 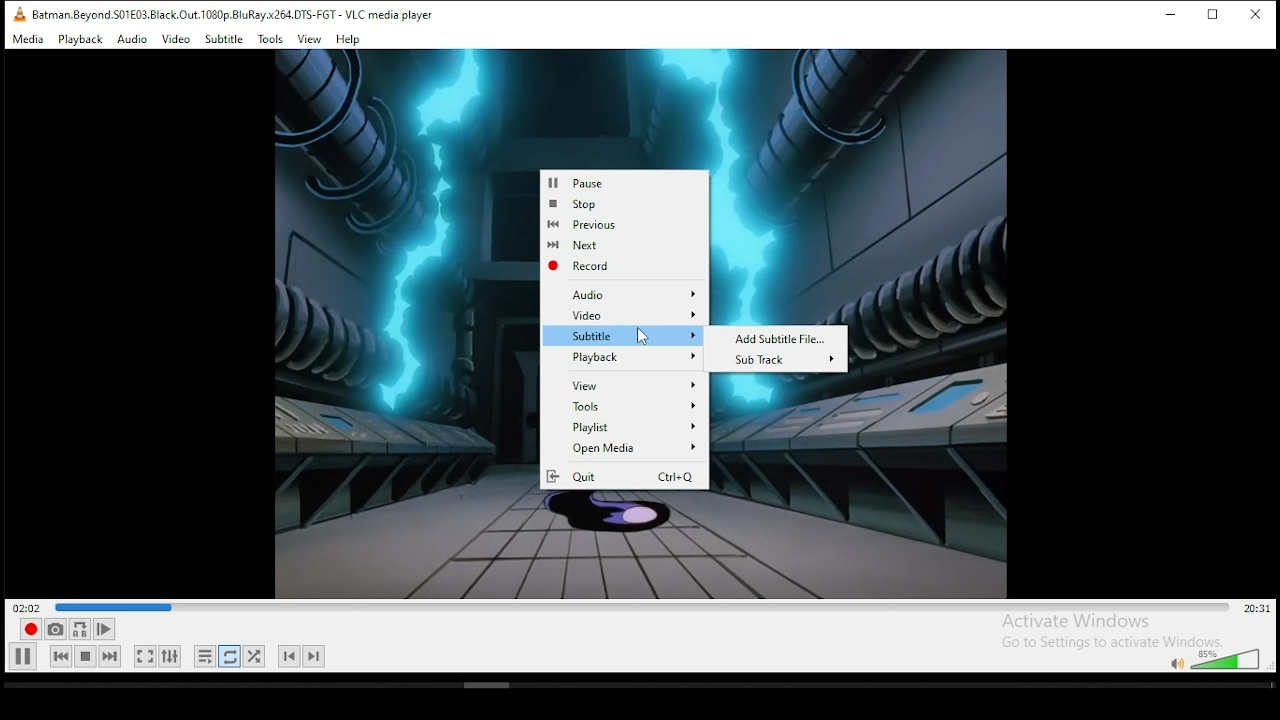 What do you see at coordinates (224, 39) in the screenshot?
I see `subtitle` at bounding box center [224, 39].